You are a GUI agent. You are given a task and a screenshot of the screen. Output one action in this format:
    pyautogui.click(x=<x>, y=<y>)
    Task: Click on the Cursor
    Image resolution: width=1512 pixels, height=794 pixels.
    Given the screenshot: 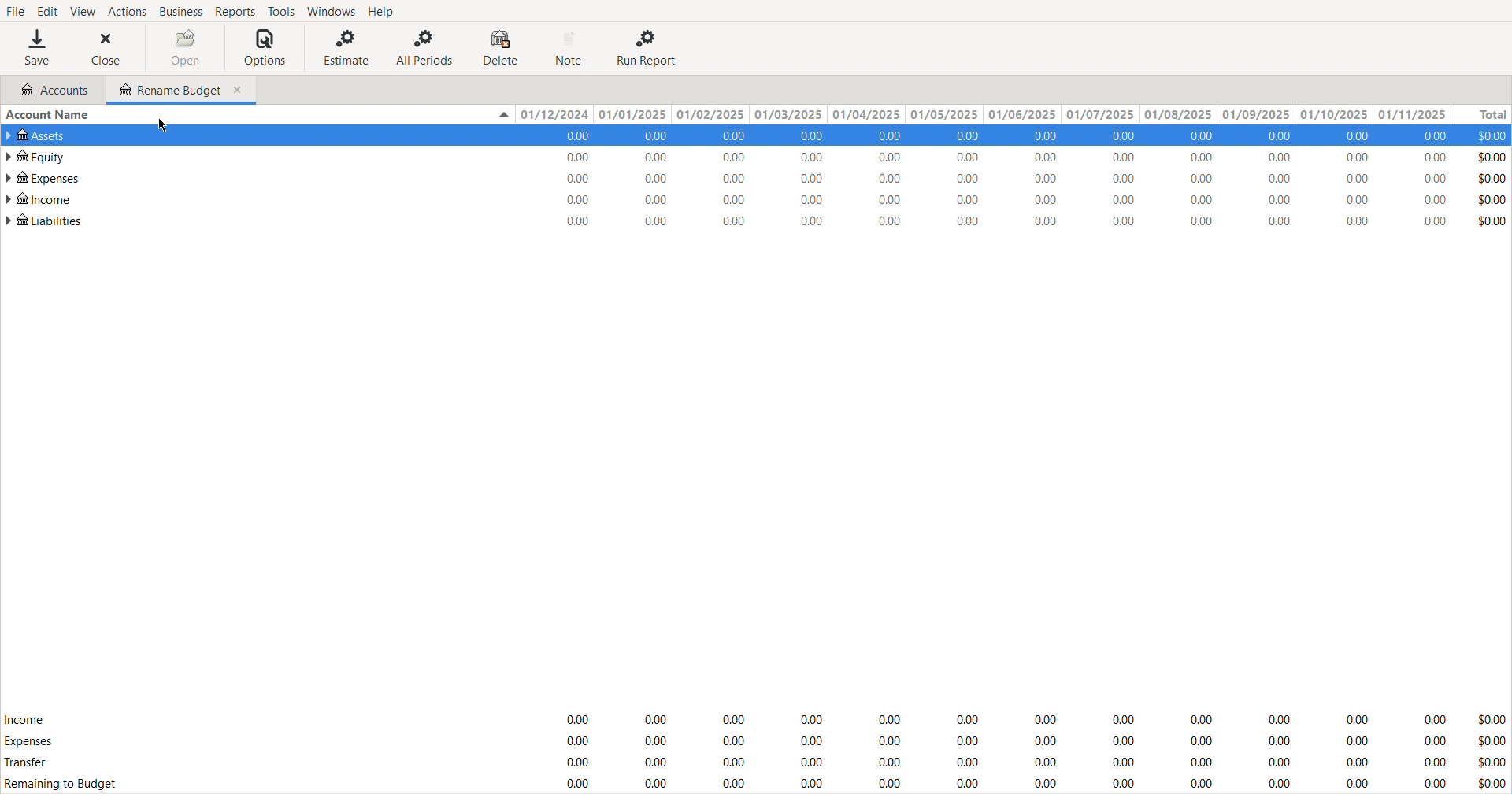 What is the action you would take?
    pyautogui.click(x=164, y=127)
    